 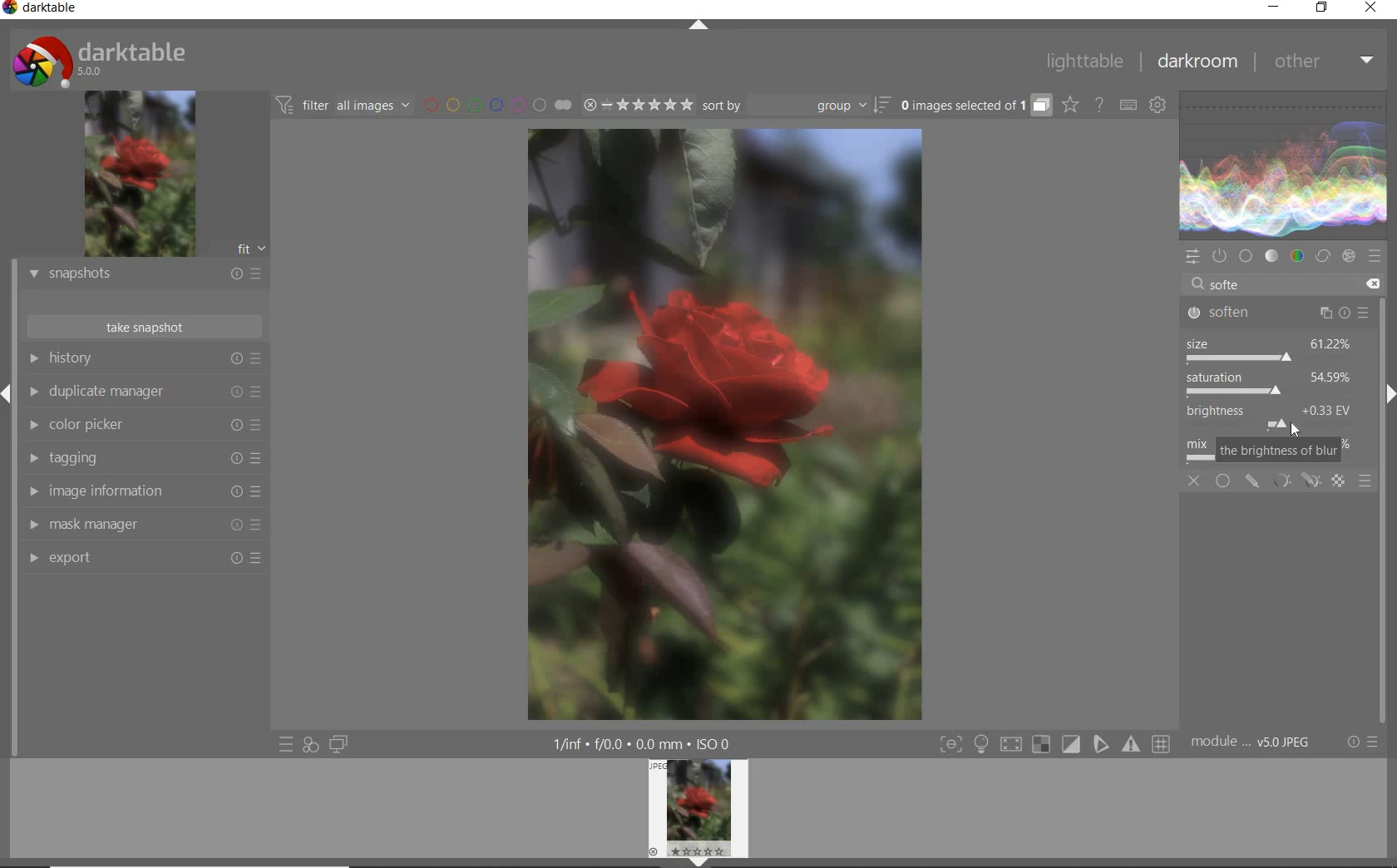 What do you see at coordinates (142, 360) in the screenshot?
I see `history` at bounding box center [142, 360].